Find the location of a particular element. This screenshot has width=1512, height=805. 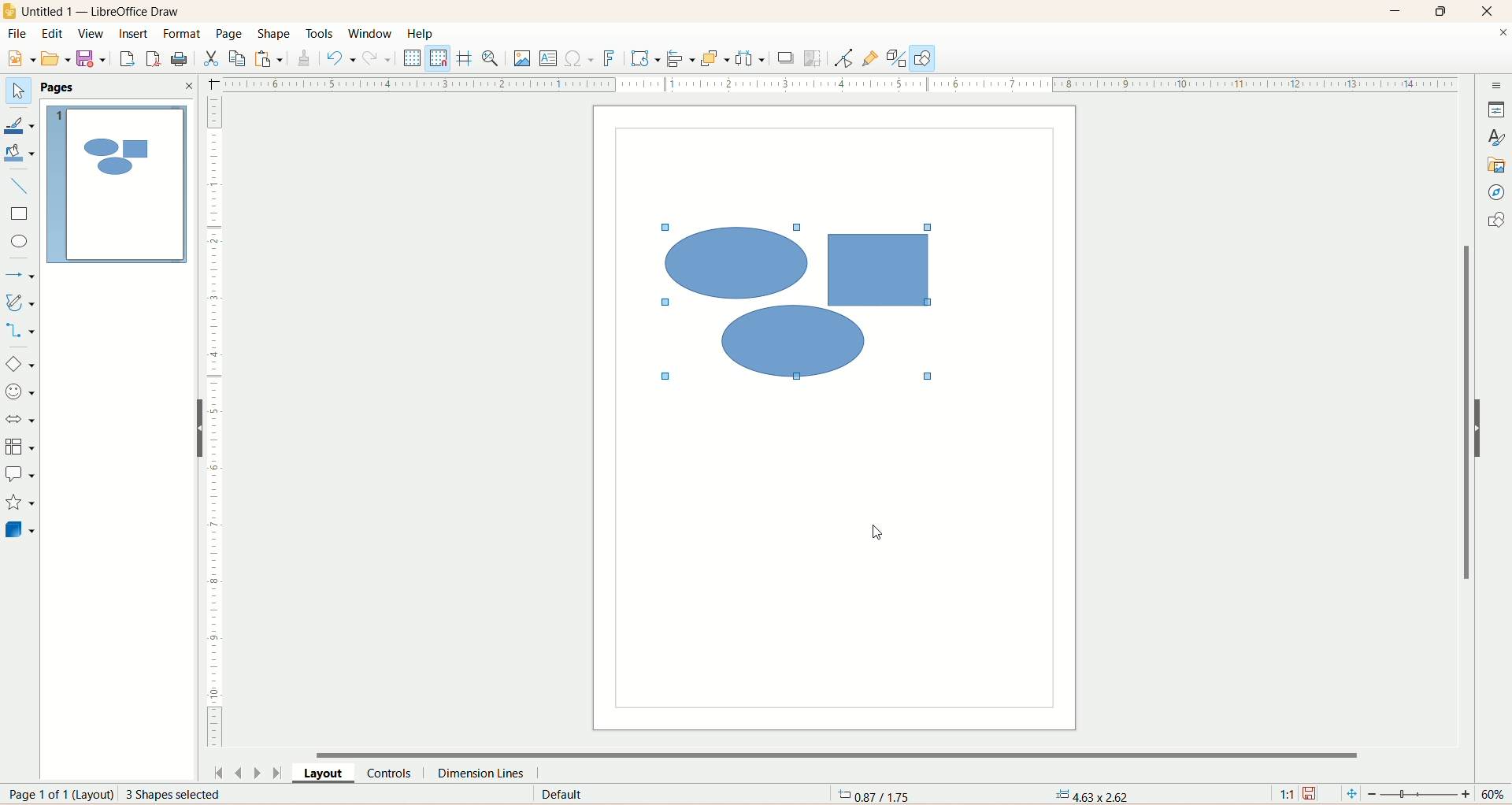

select atleast three object to distribute is located at coordinates (750, 58).